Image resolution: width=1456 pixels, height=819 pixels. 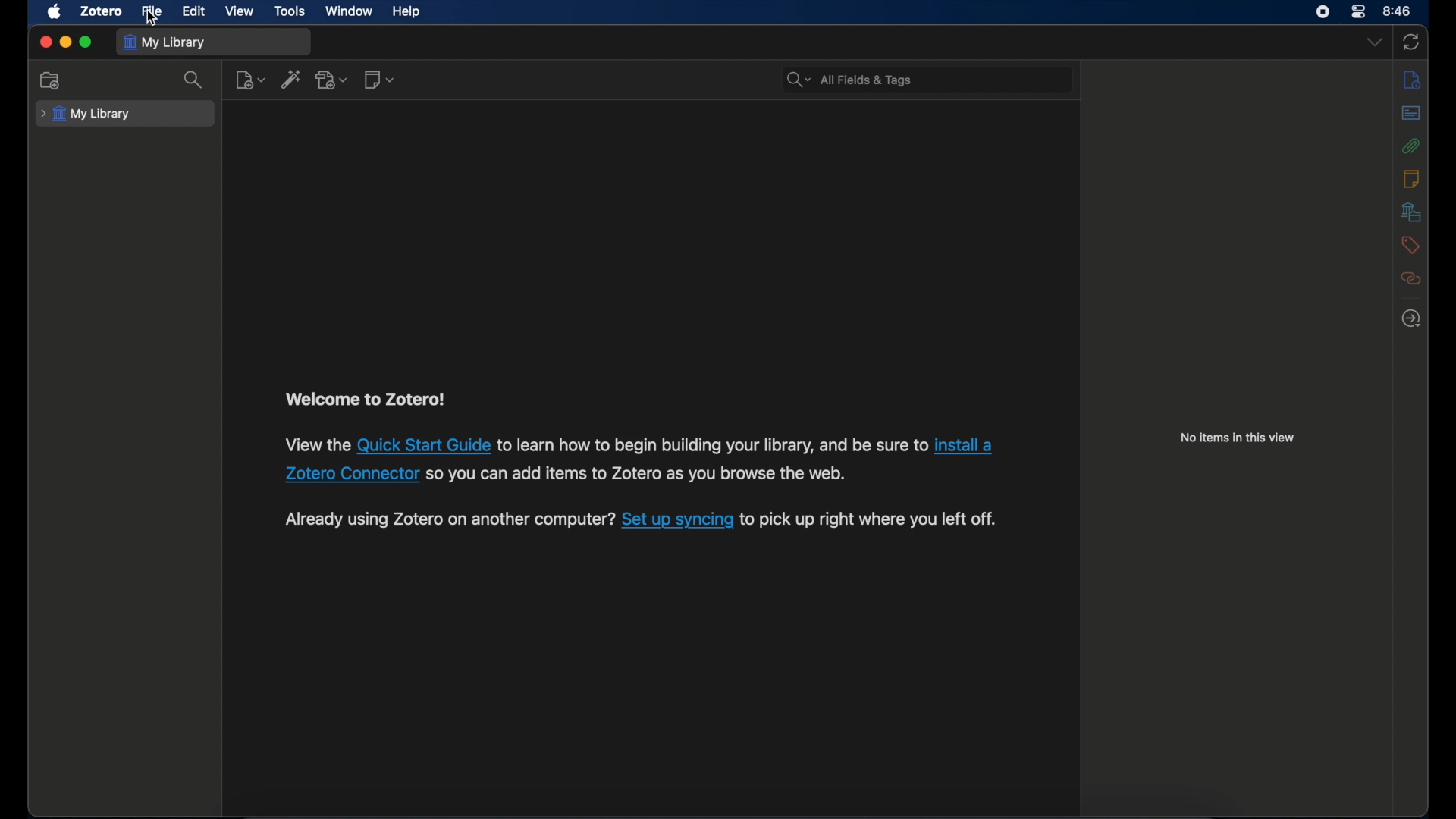 I want to click on screen recorder, so click(x=1323, y=12).